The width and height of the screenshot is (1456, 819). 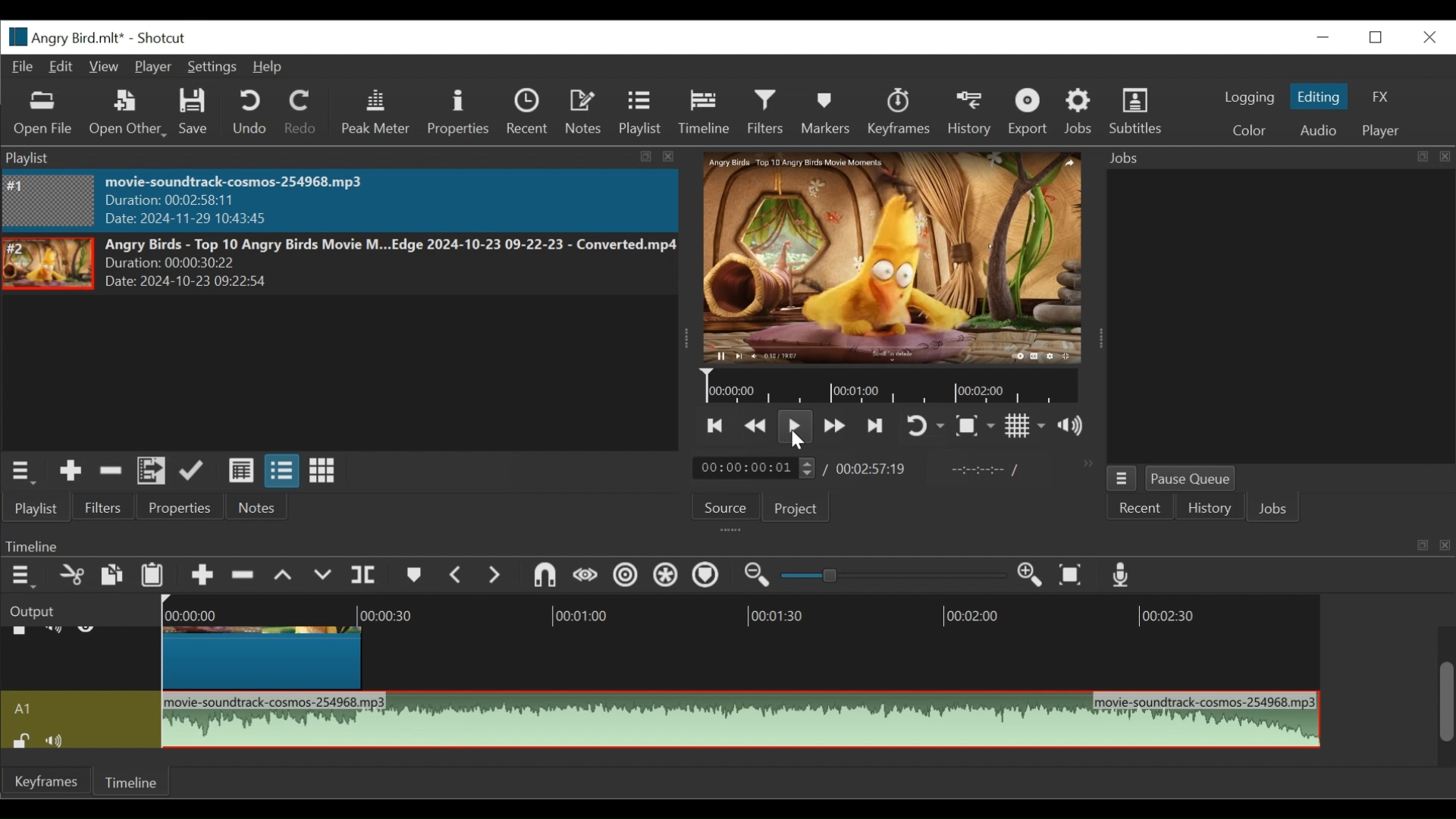 I want to click on Ripple Delete, so click(x=243, y=576).